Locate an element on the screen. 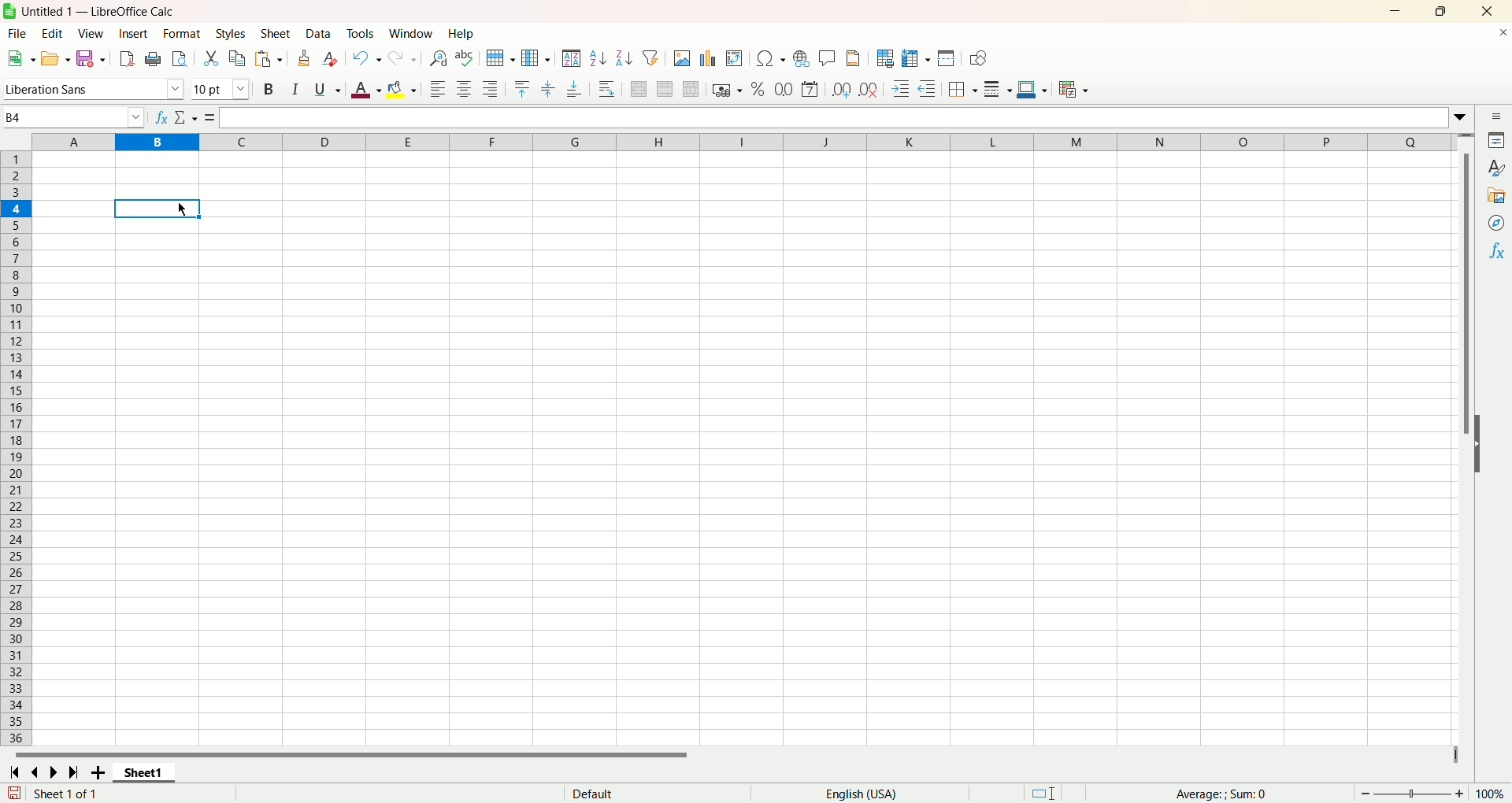 The height and width of the screenshot is (803, 1512). align left is located at coordinates (437, 90).